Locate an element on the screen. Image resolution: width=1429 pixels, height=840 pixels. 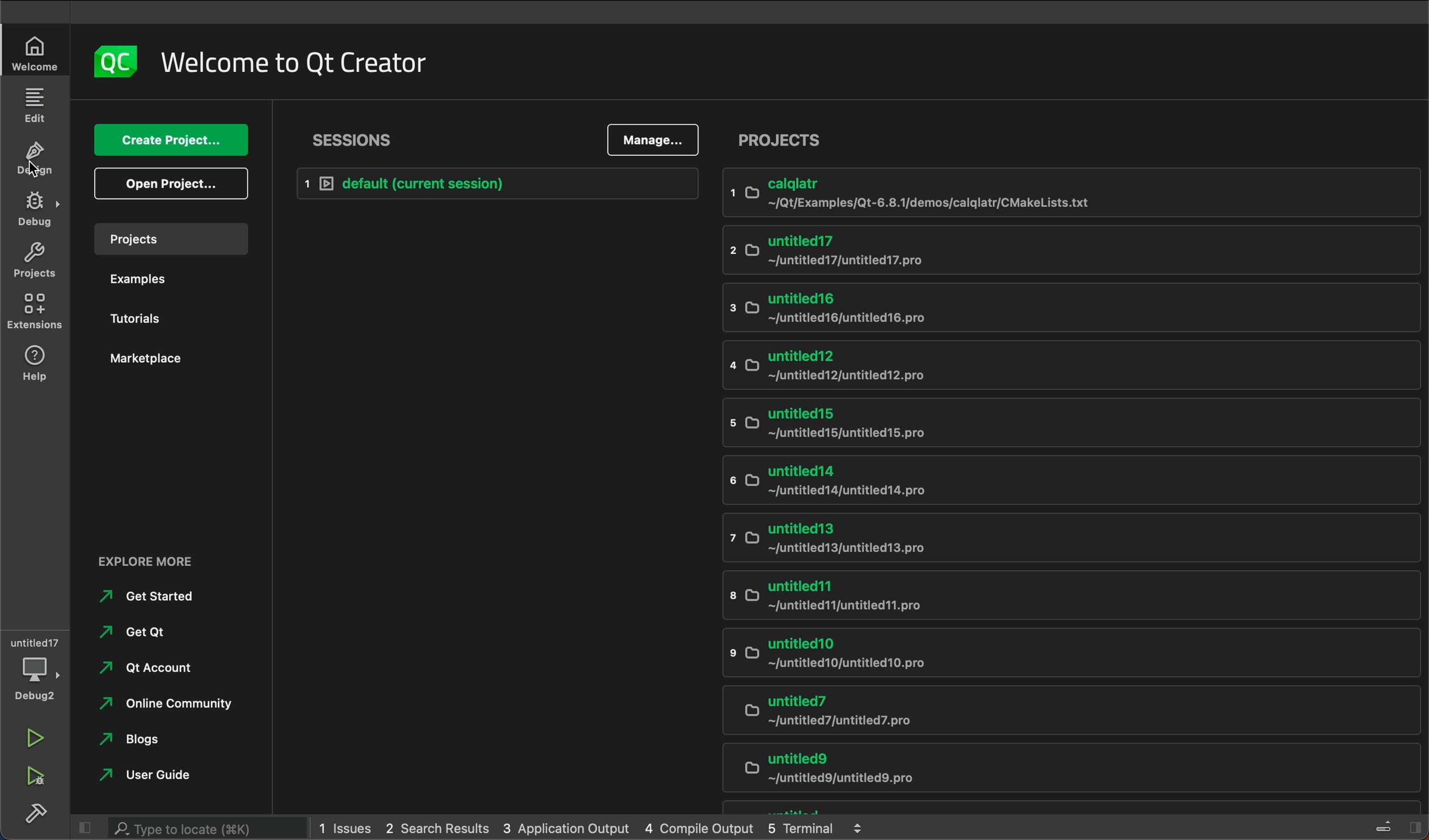
 is located at coordinates (1415, 826).